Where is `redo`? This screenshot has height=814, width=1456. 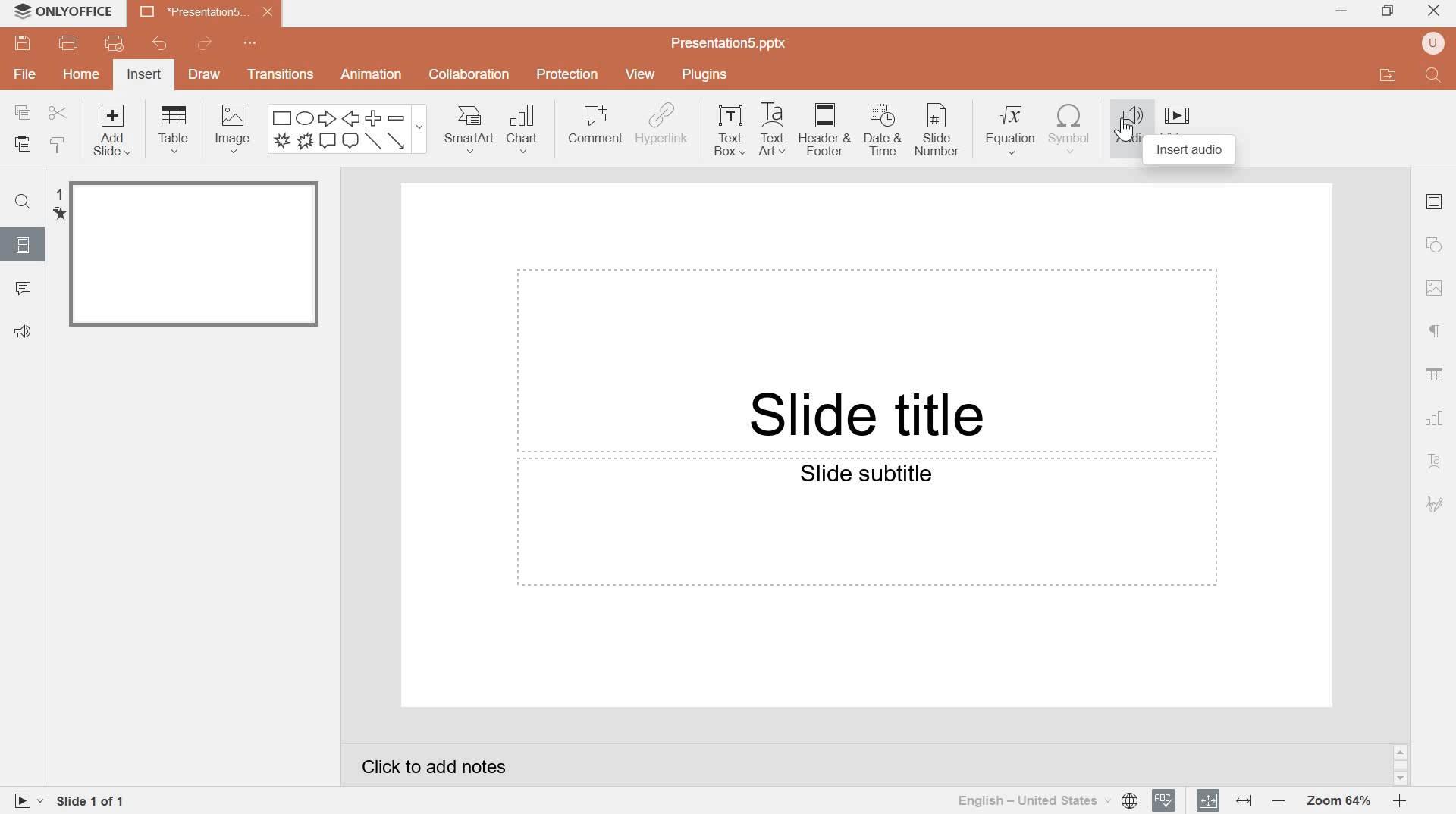 redo is located at coordinates (204, 43).